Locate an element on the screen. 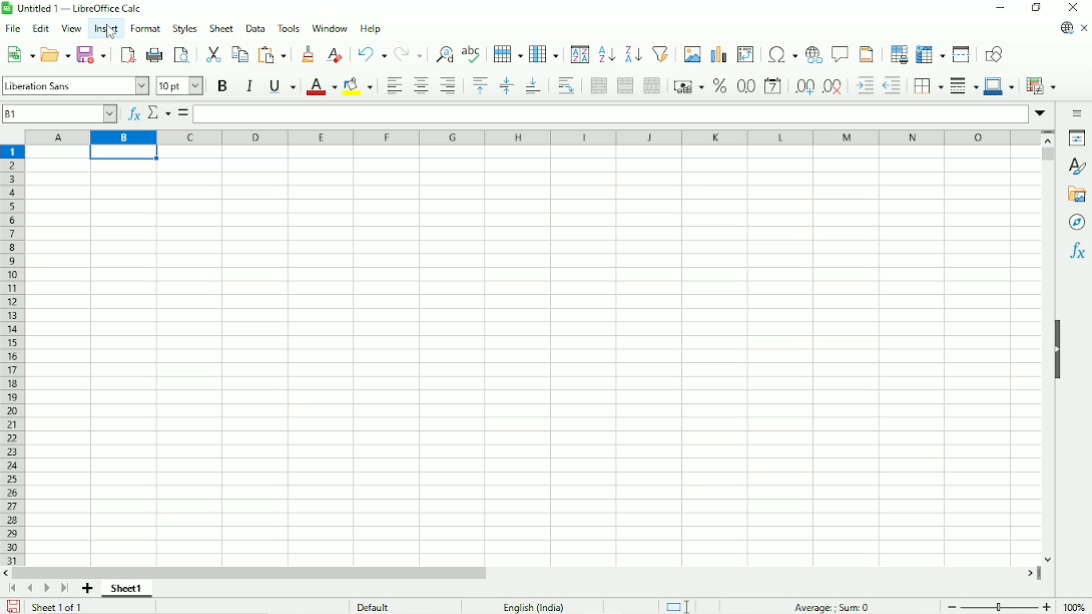  Italic is located at coordinates (251, 86).